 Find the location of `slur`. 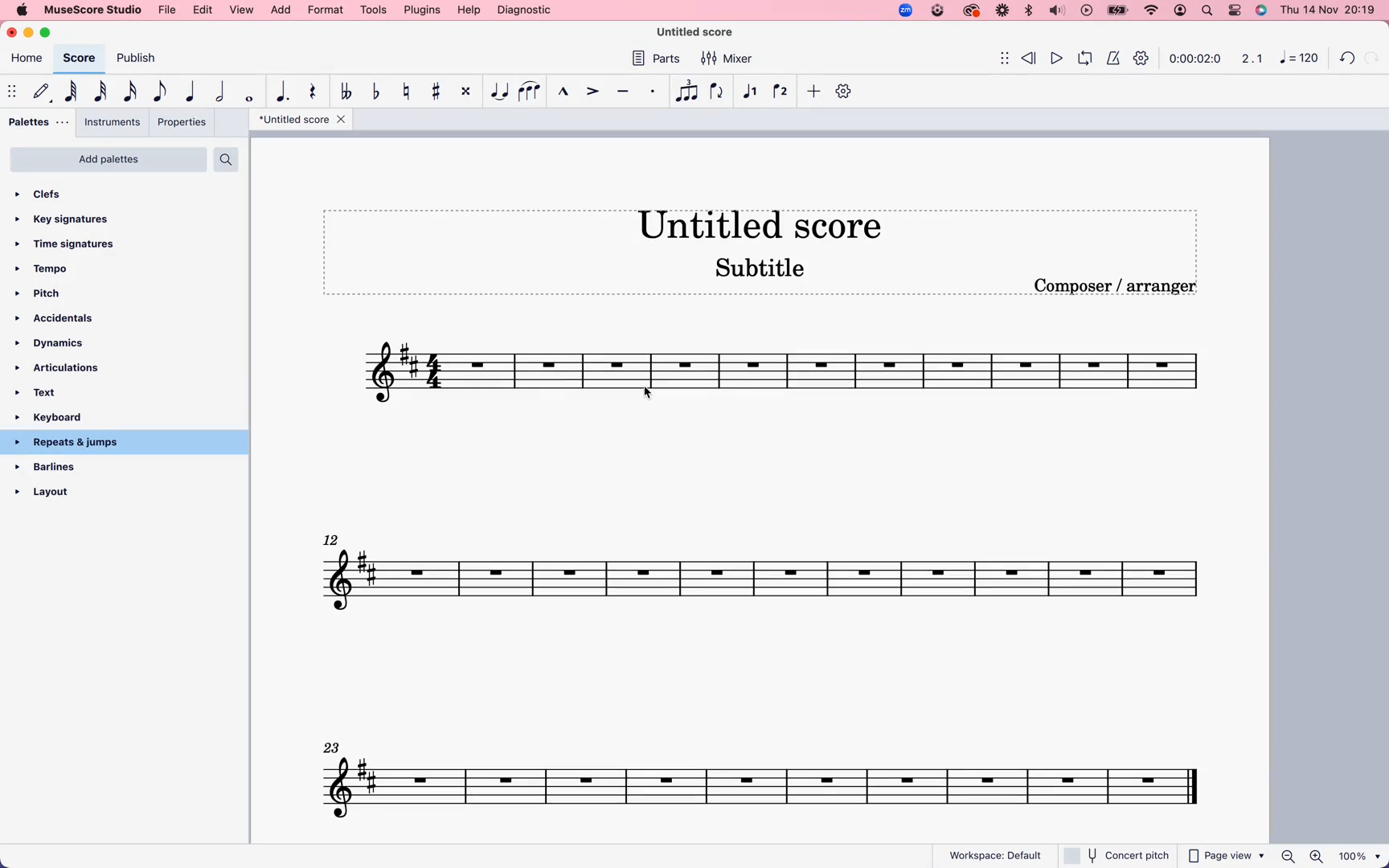

slur is located at coordinates (531, 92).